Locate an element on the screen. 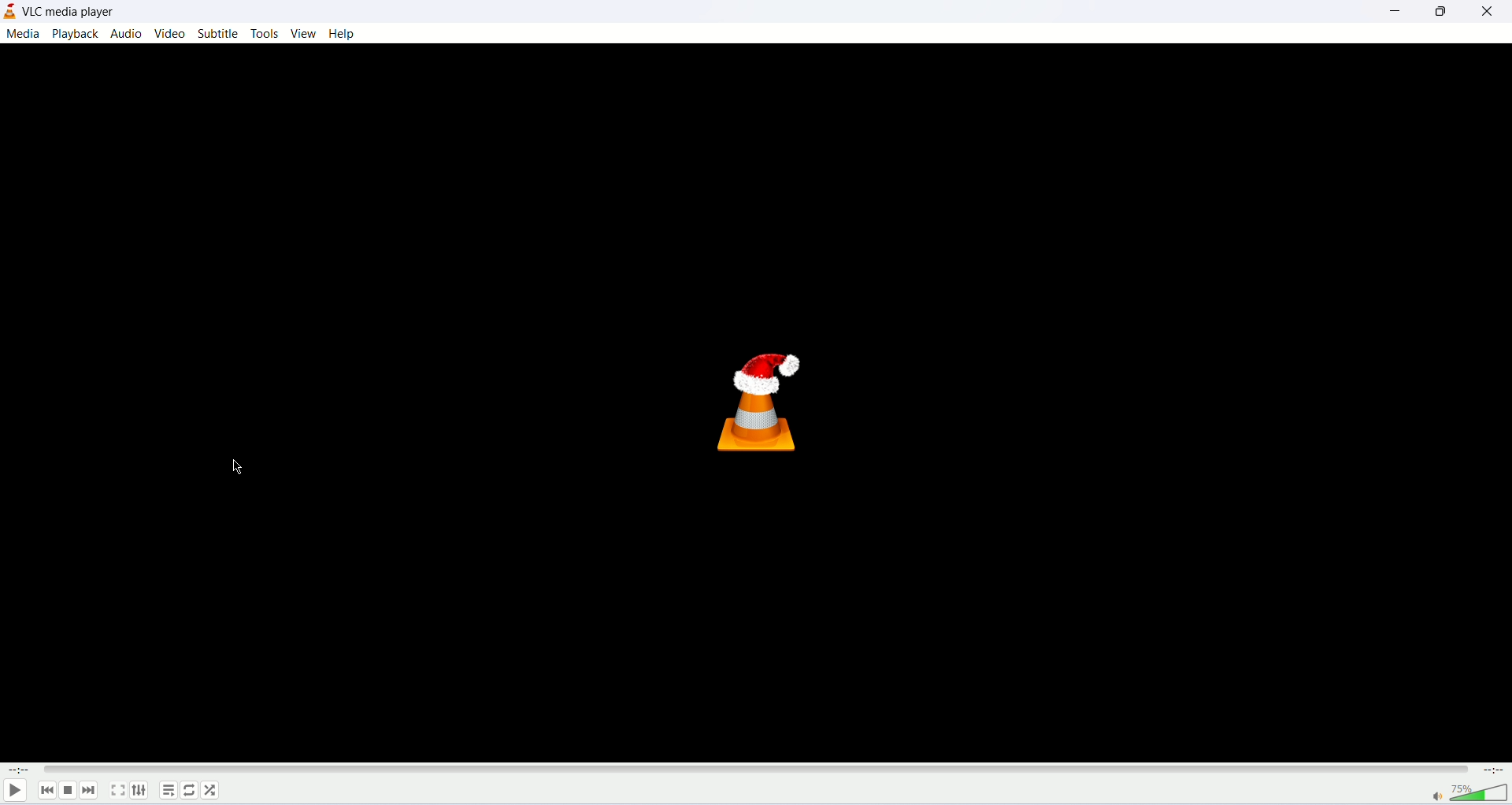 The image size is (1512, 805). media is located at coordinates (24, 34).